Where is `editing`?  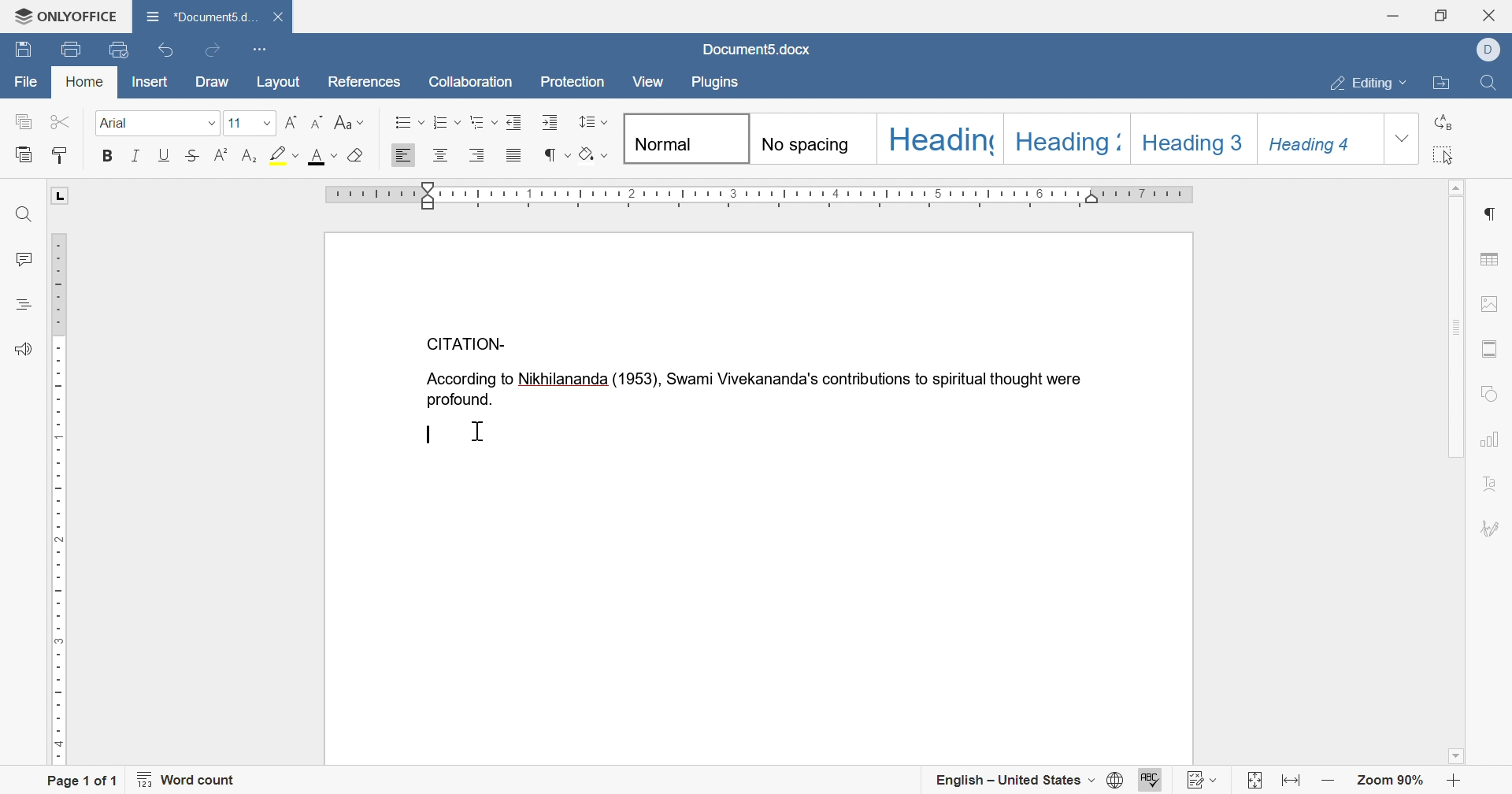
editing is located at coordinates (1365, 83).